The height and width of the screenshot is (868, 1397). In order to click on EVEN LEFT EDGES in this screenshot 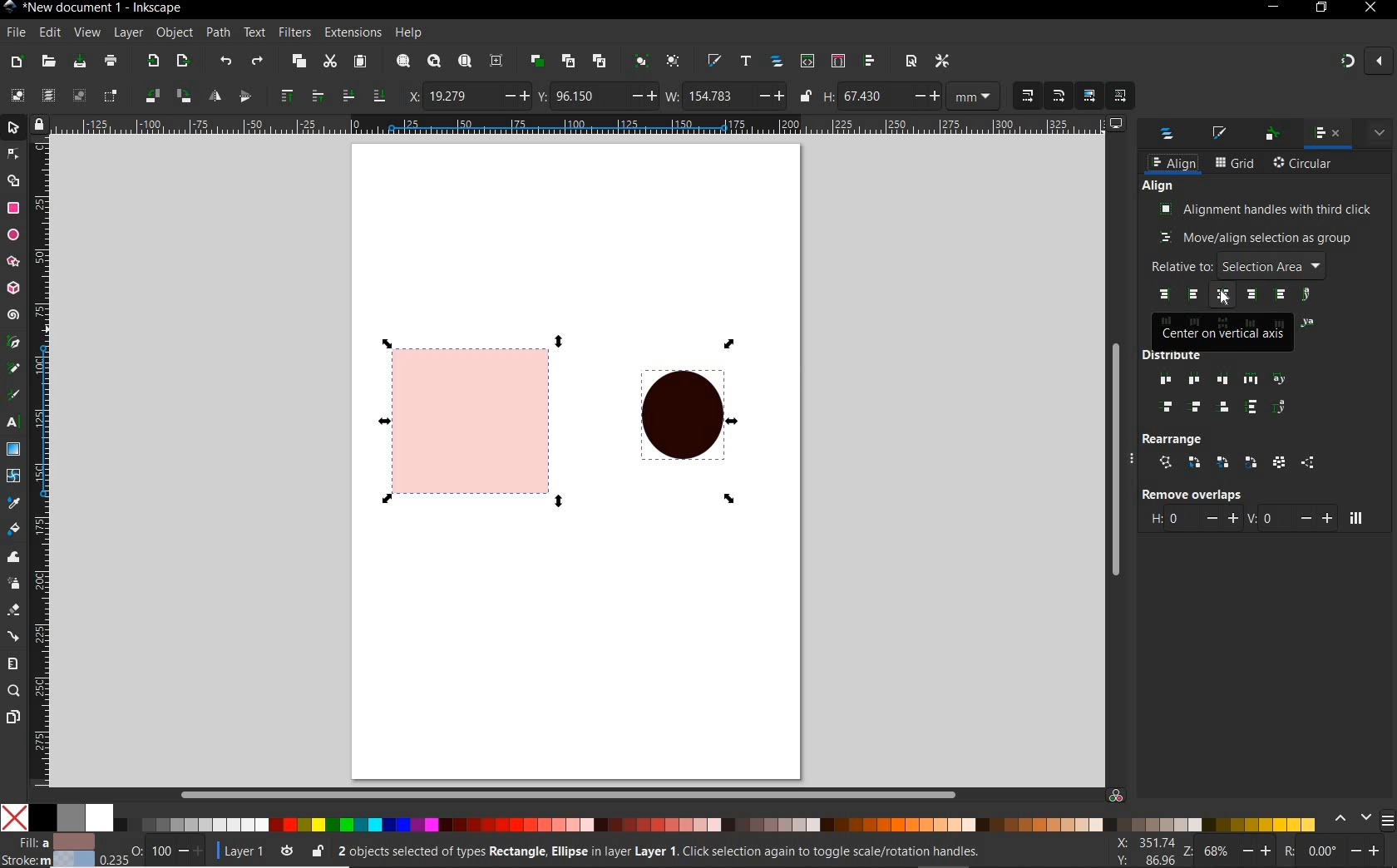, I will do `click(1162, 381)`.